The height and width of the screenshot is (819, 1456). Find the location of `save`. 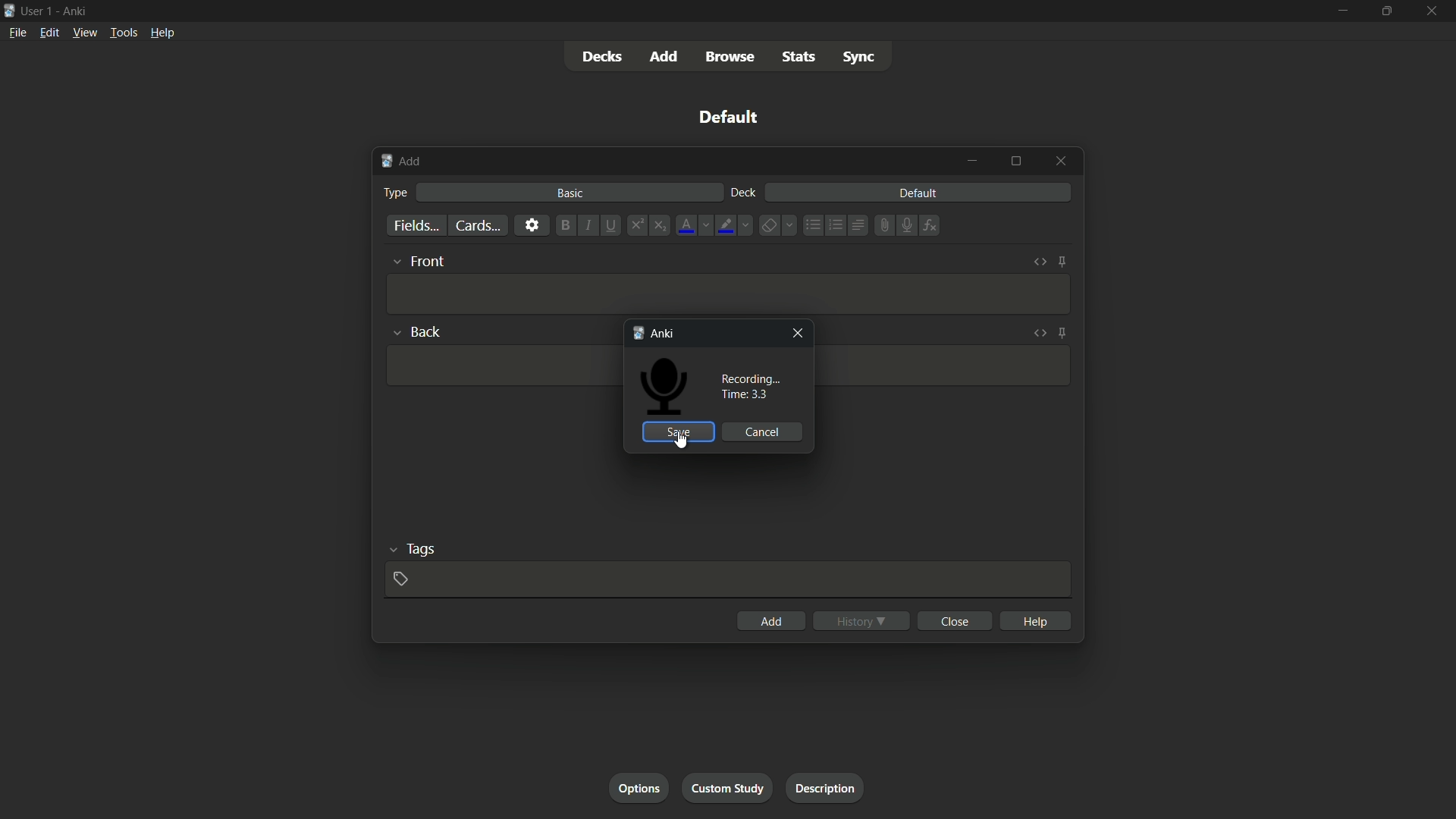

save is located at coordinates (677, 432).